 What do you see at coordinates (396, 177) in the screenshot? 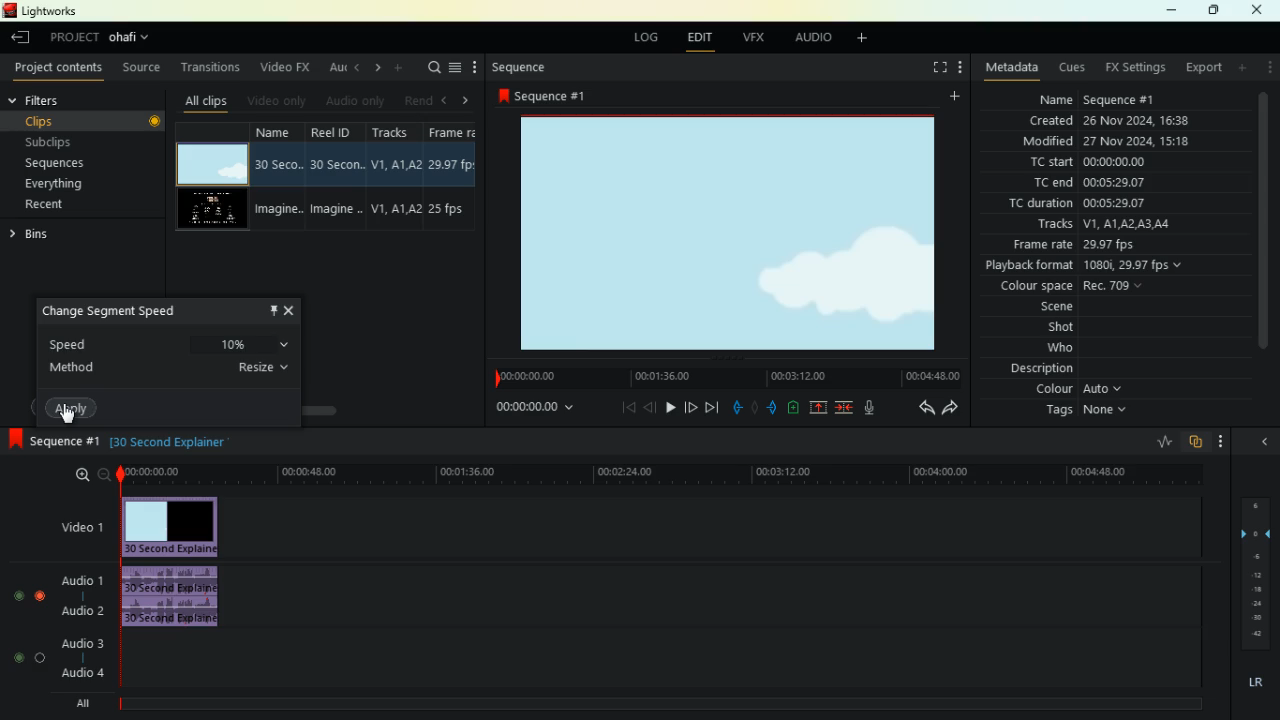
I see `tracks` at bounding box center [396, 177].